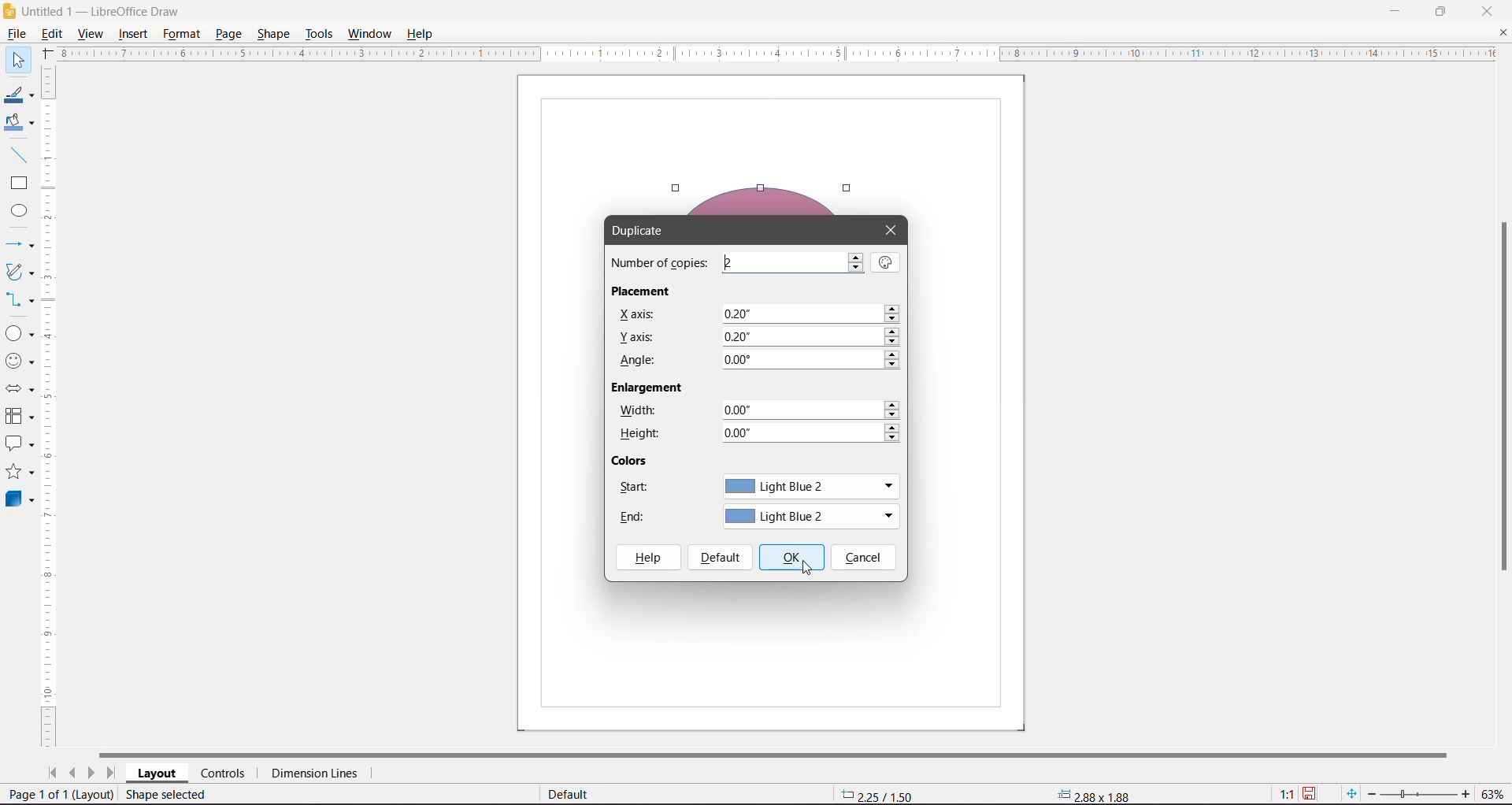 The image size is (1512, 805). What do you see at coordinates (1371, 795) in the screenshot?
I see `Zoom Out` at bounding box center [1371, 795].